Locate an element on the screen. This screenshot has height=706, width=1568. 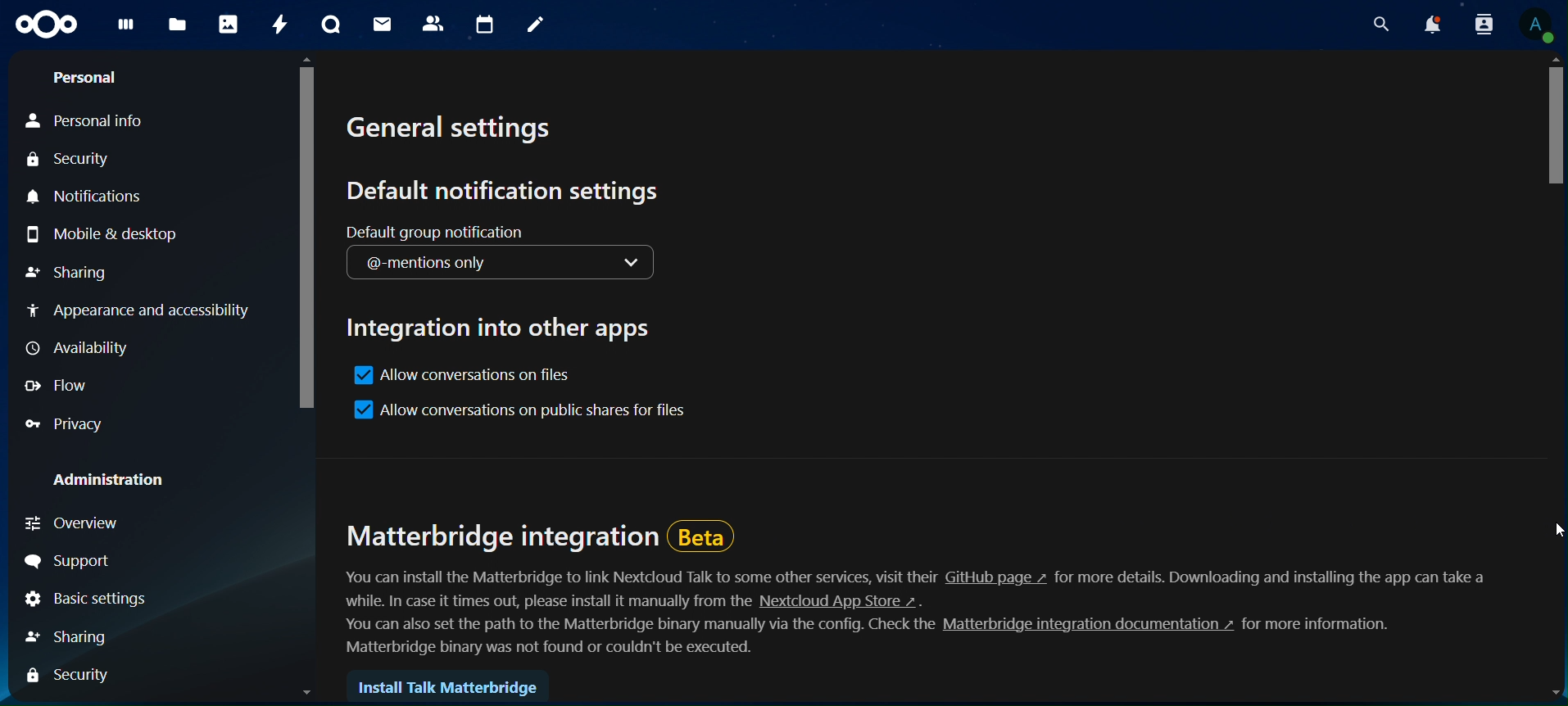
Sharing is located at coordinates (71, 638).